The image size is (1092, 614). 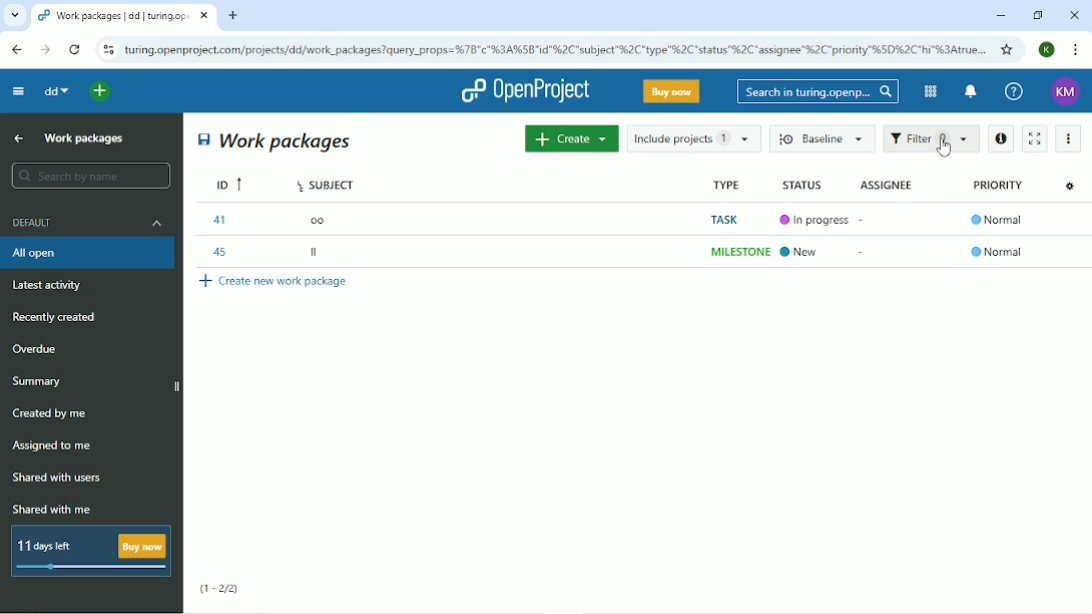 What do you see at coordinates (74, 49) in the screenshot?
I see `Reload this page` at bounding box center [74, 49].